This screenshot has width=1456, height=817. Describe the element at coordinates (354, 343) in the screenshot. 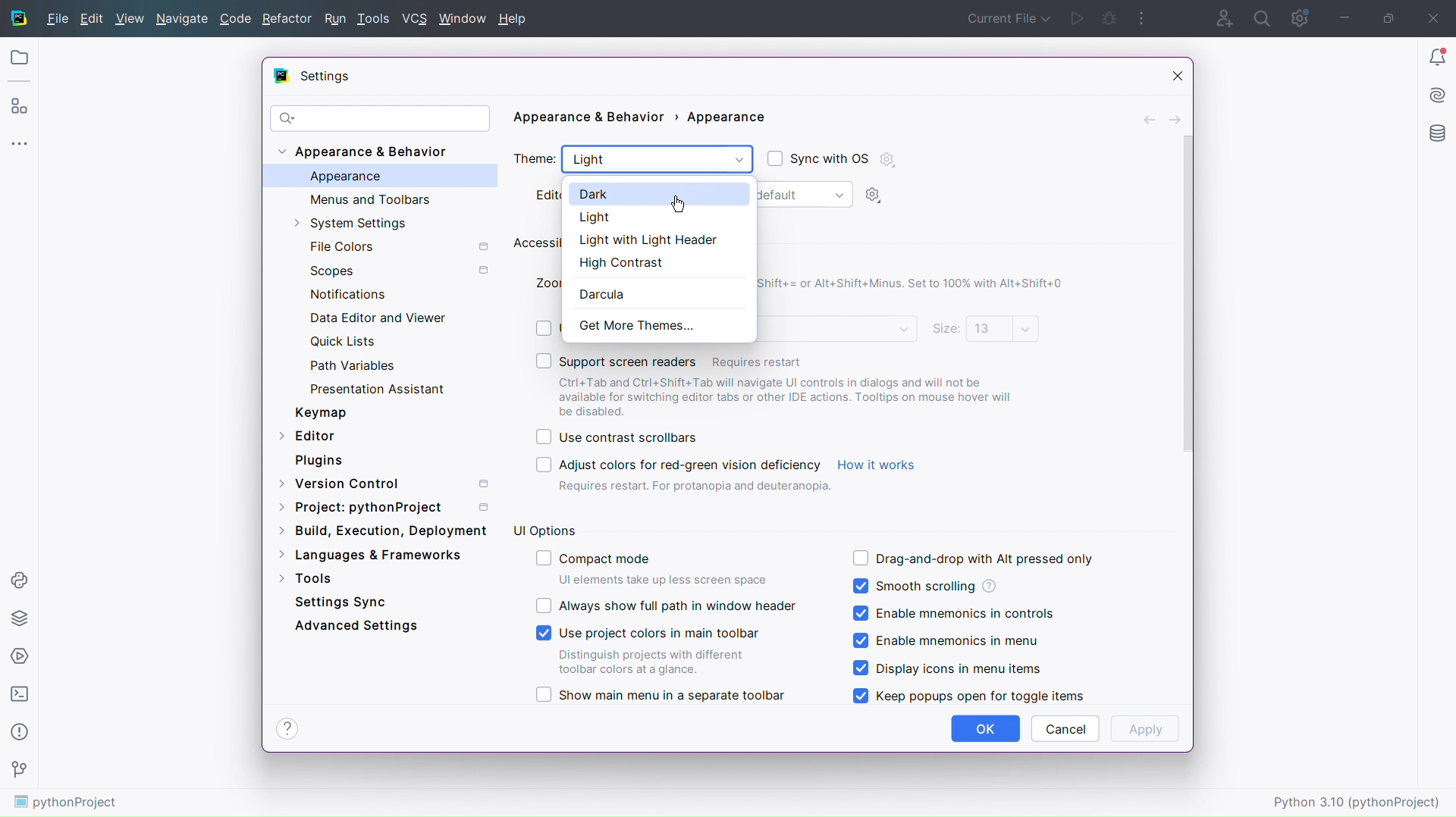

I see `Quick Lists` at that location.